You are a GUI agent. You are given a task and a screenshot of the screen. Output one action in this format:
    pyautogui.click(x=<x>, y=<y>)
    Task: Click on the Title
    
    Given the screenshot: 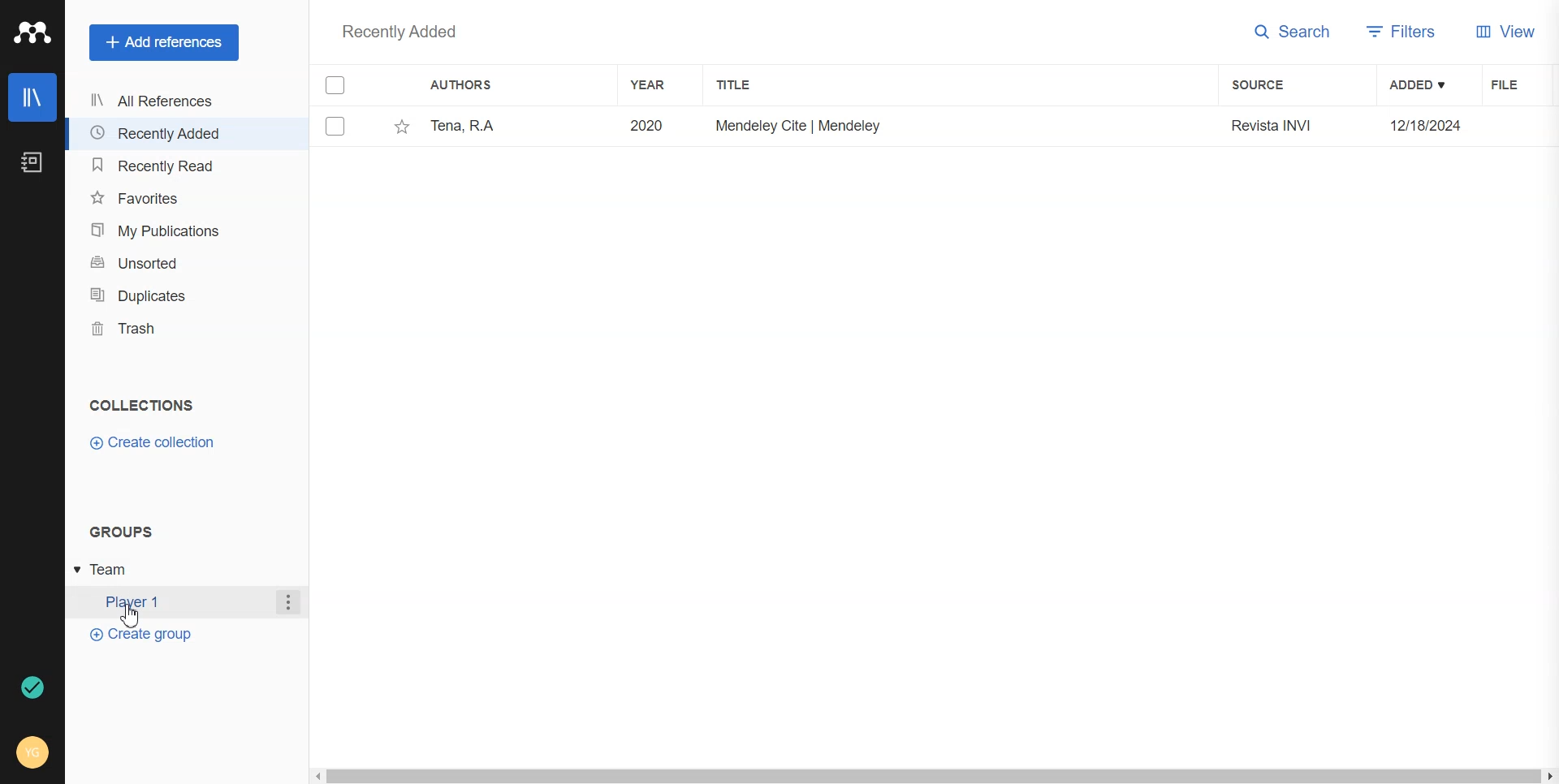 What is the action you would take?
    pyautogui.click(x=741, y=85)
    